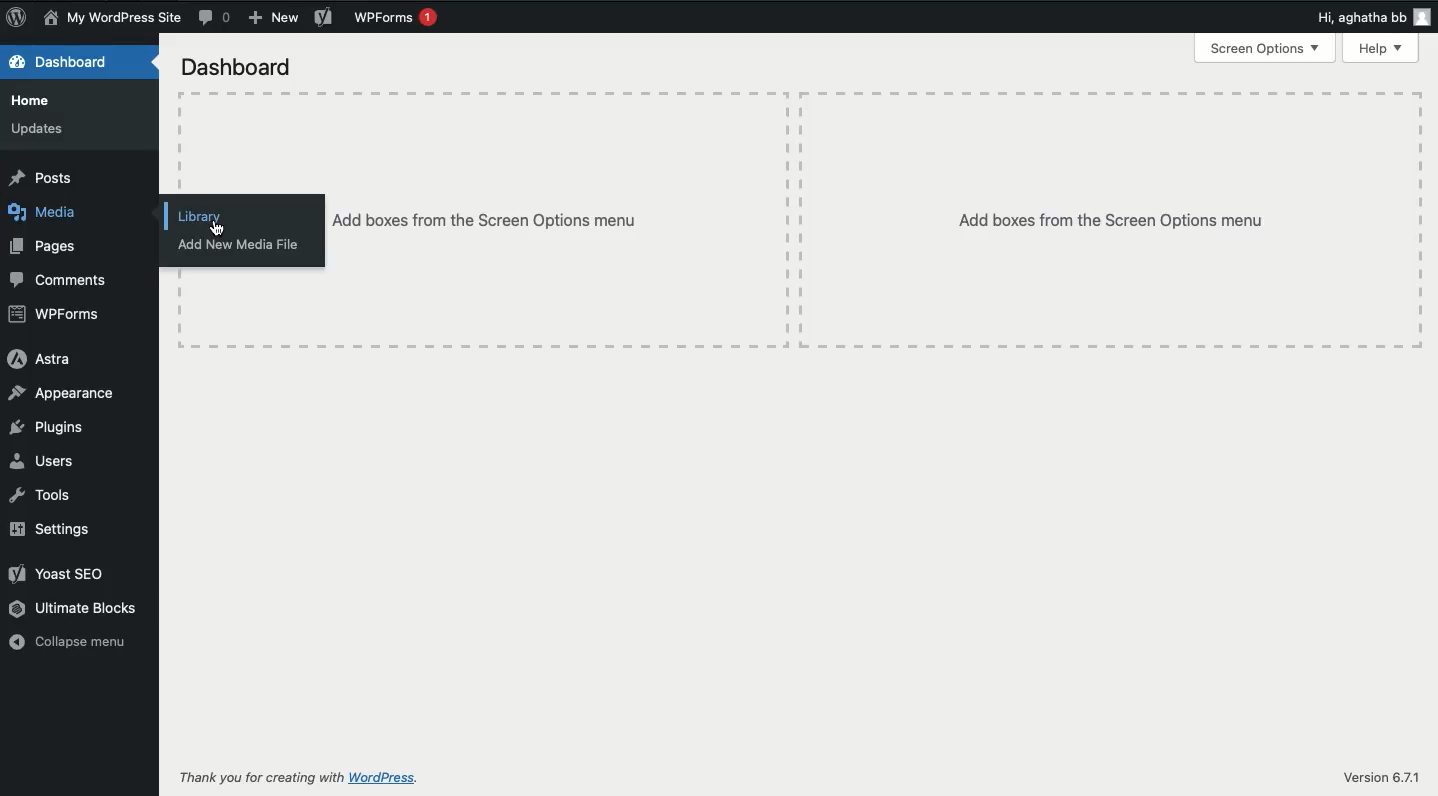 The height and width of the screenshot is (796, 1438). What do you see at coordinates (48, 529) in the screenshot?
I see `Settings` at bounding box center [48, 529].